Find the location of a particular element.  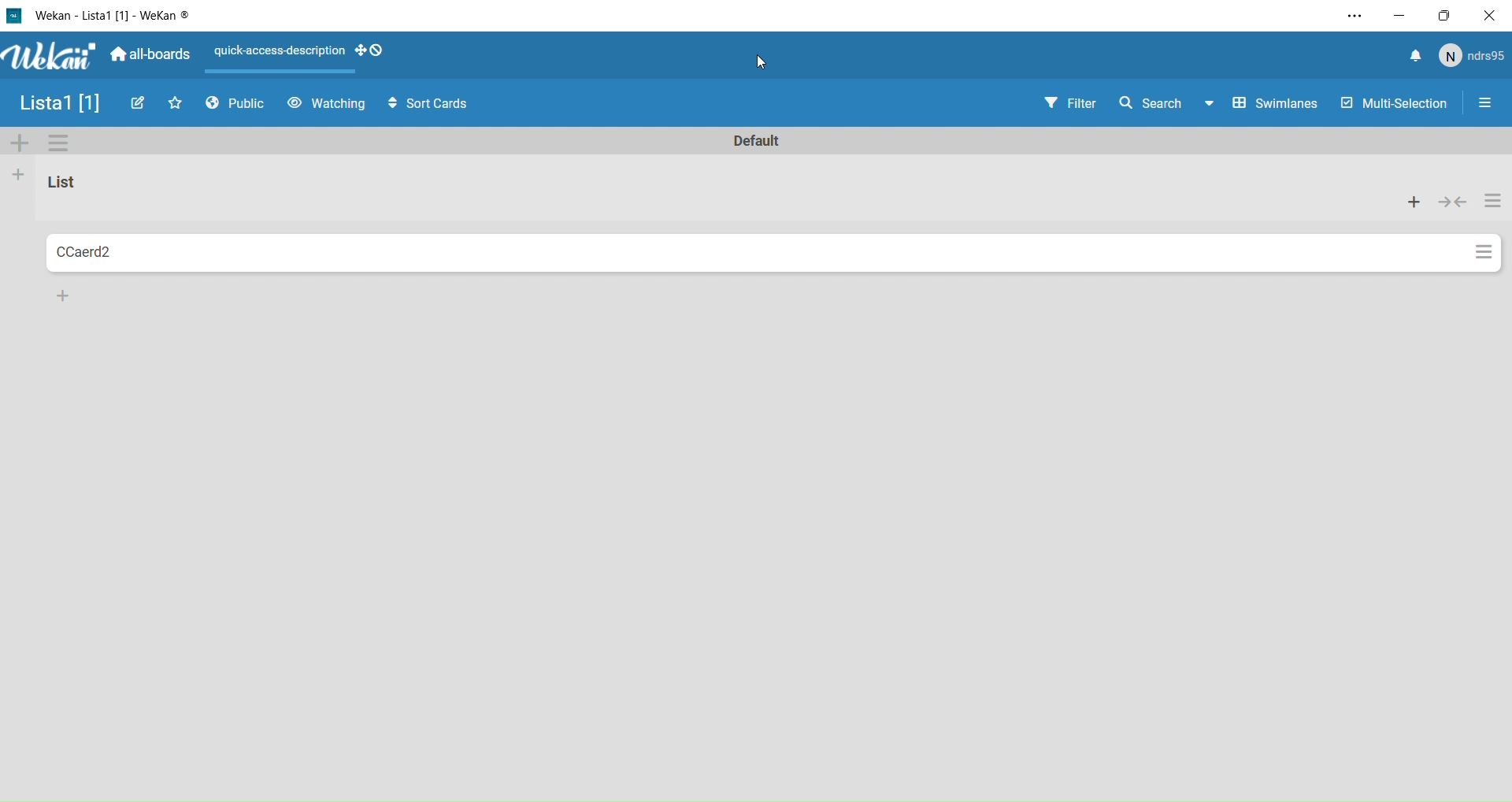

Swimlines is located at coordinates (1265, 104).